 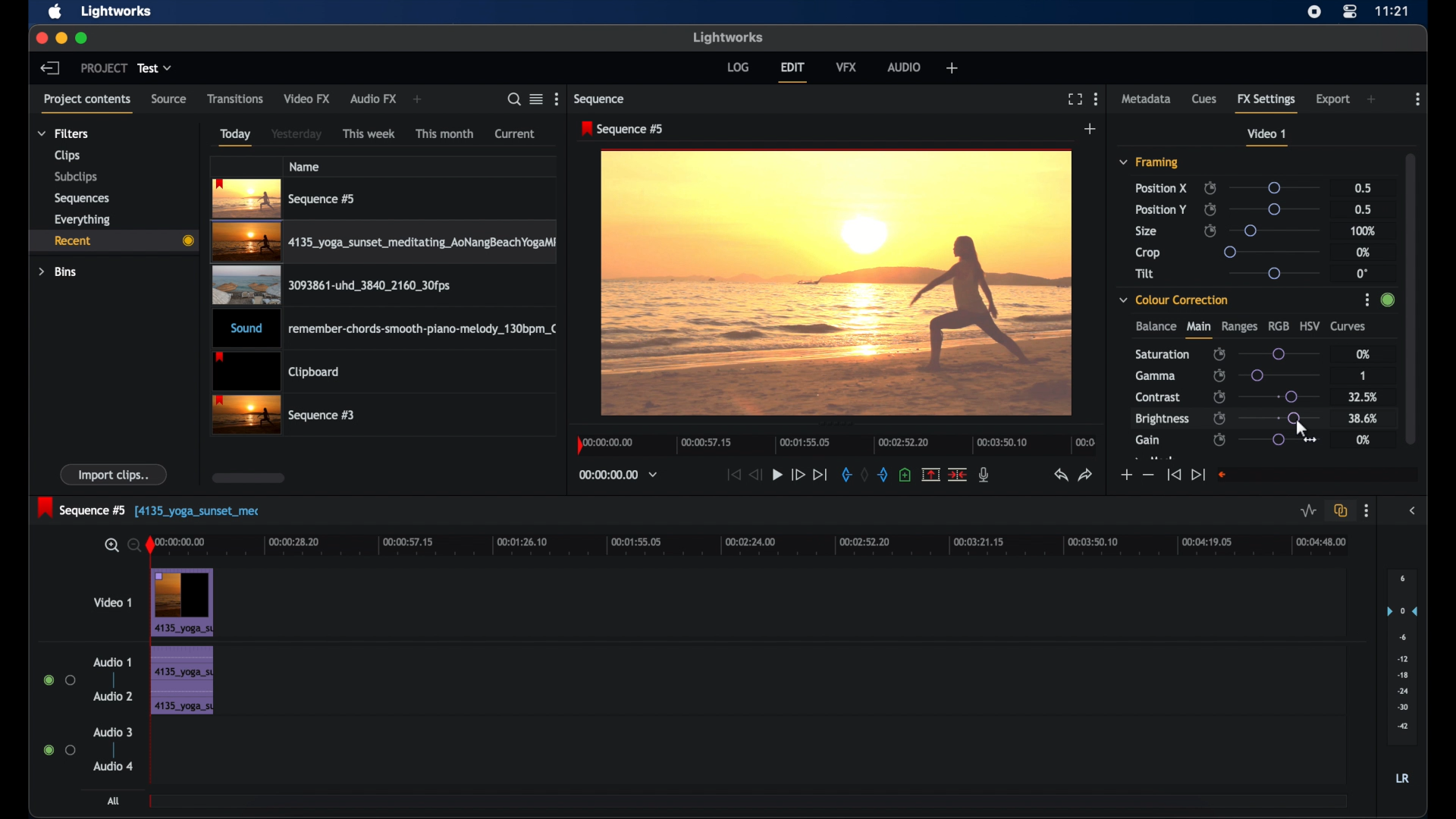 What do you see at coordinates (1210, 230) in the screenshot?
I see `enable/disable keyframes` at bounding box center [1210, 230].